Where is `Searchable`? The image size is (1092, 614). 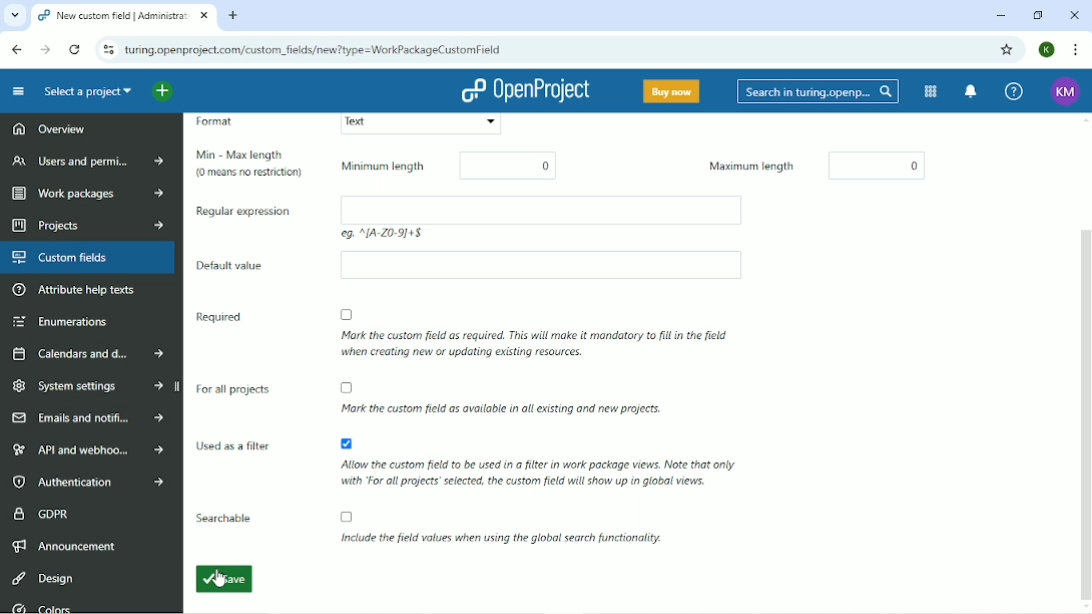
Searchable is located at coordinates (435, 527).